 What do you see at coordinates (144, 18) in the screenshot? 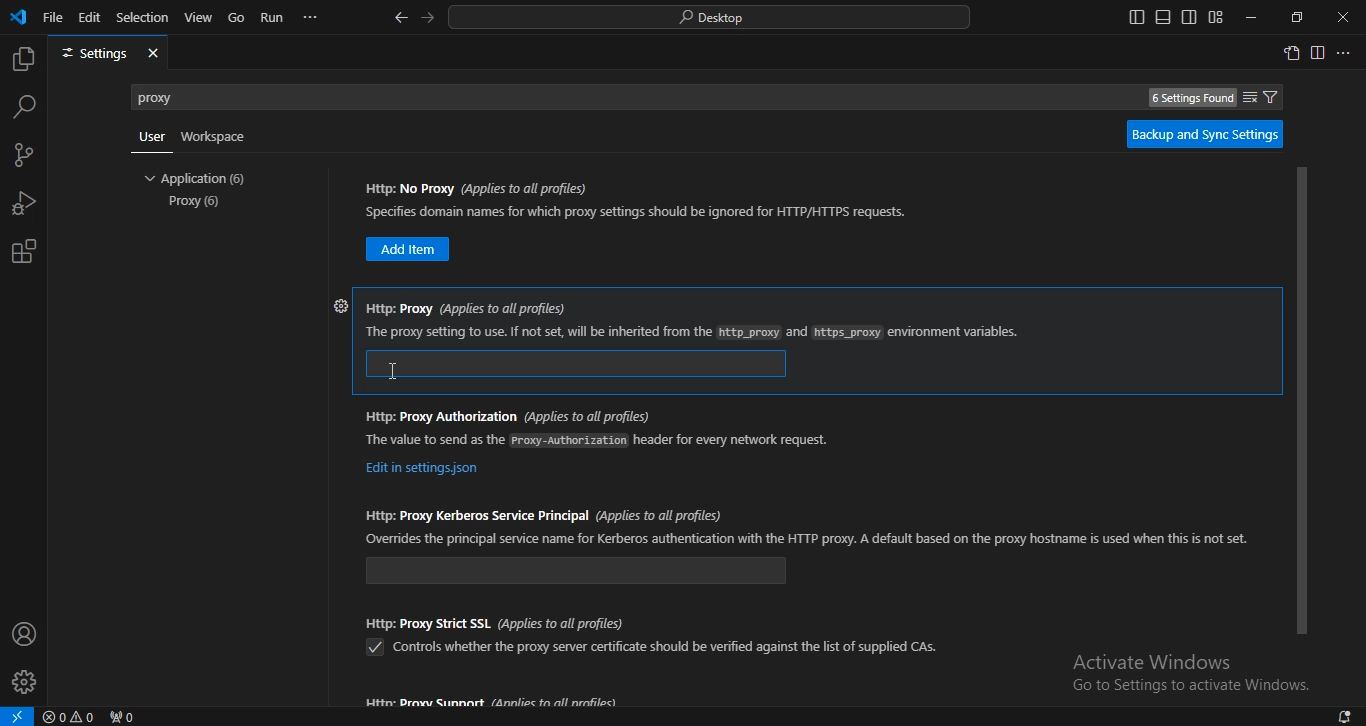
I see `selection` at bounding box center [144, 18].